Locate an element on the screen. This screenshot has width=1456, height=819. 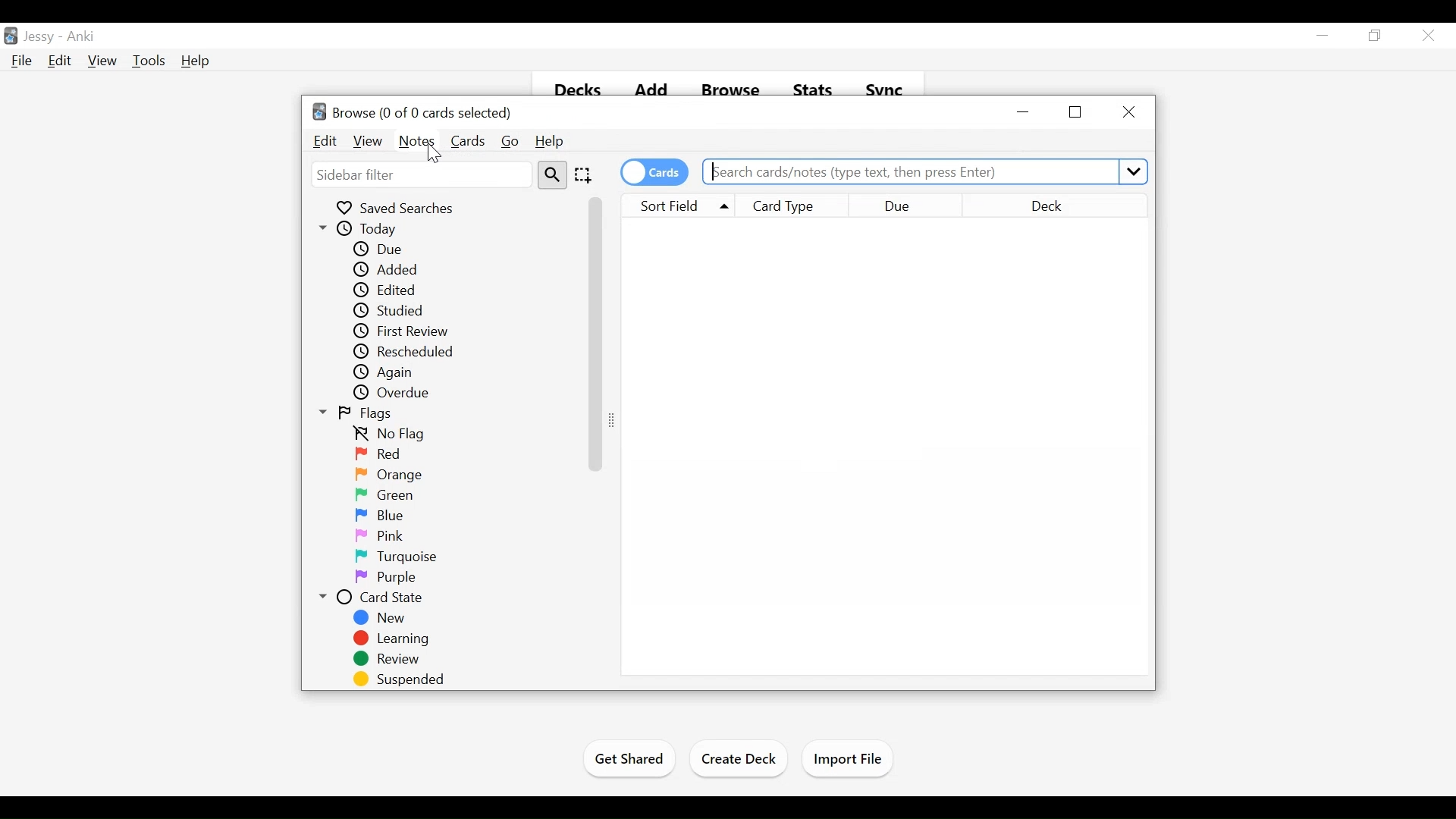
Tools is located at coordinates (148, 61).